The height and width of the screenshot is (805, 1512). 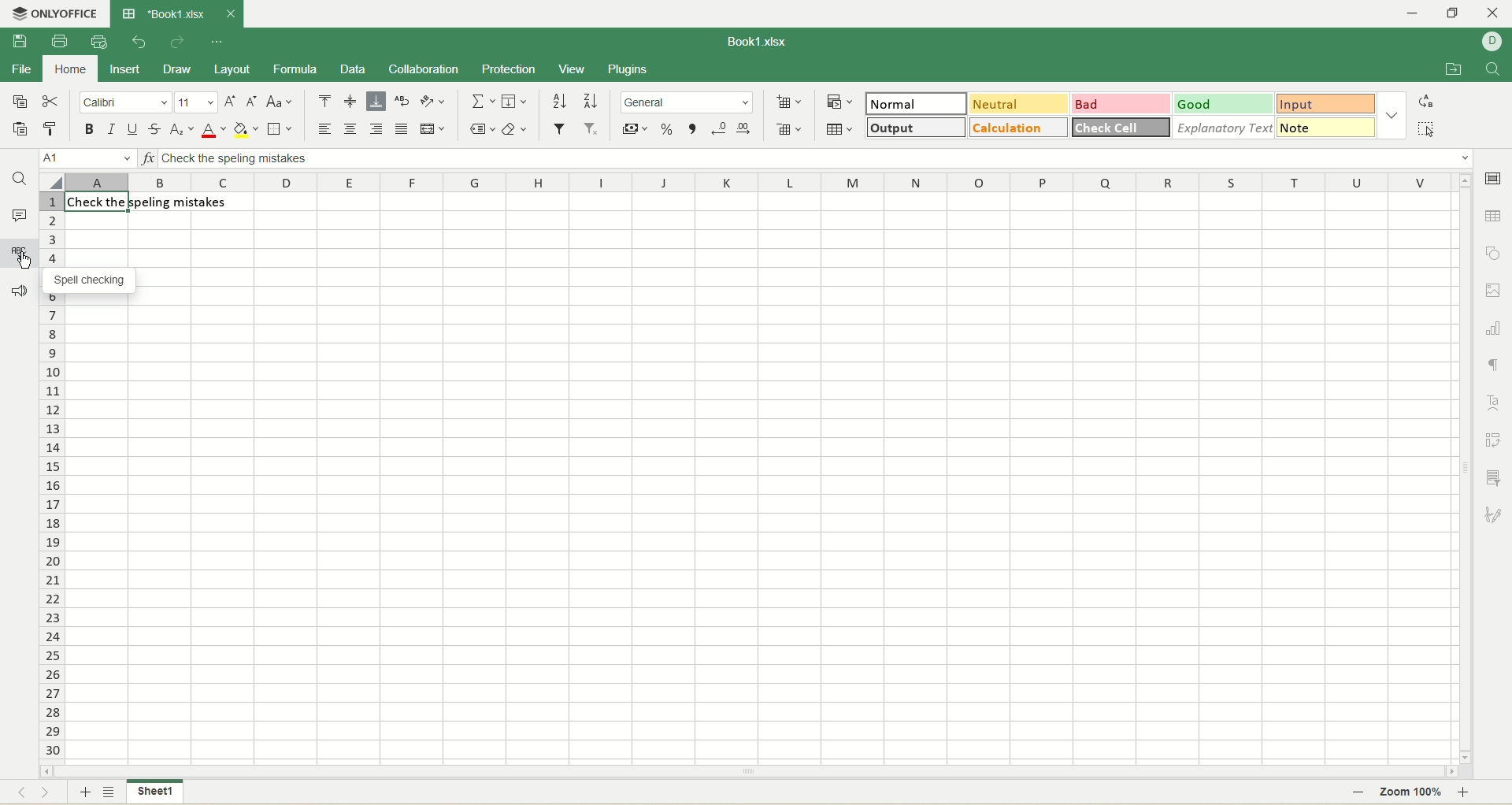 What do you see at coordinates (423, 69) in the screenshot?
I see `collaboration` at bounding box center [423, 69].